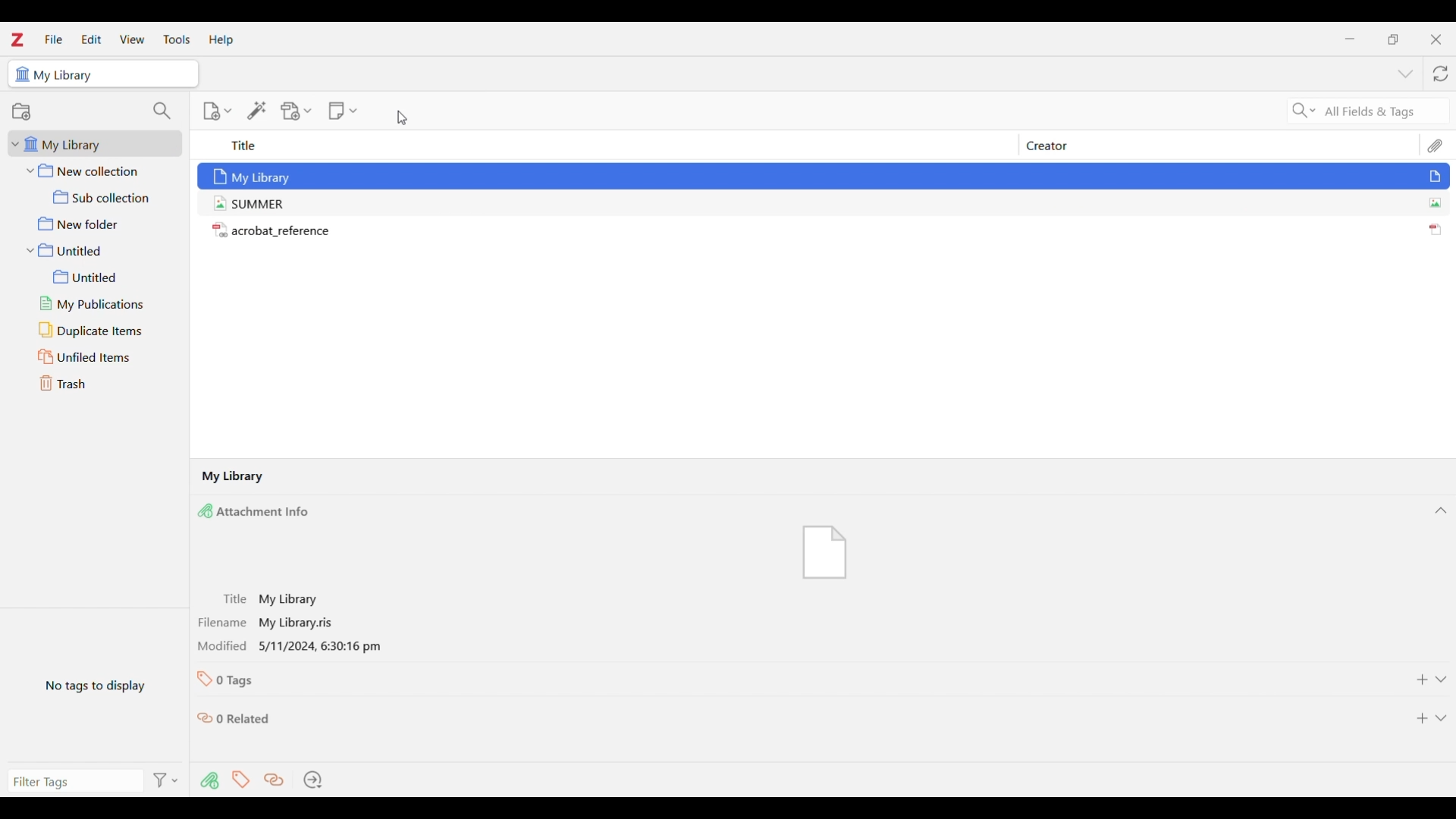  I want to click on Untitled sub folder, so click(103, 277).